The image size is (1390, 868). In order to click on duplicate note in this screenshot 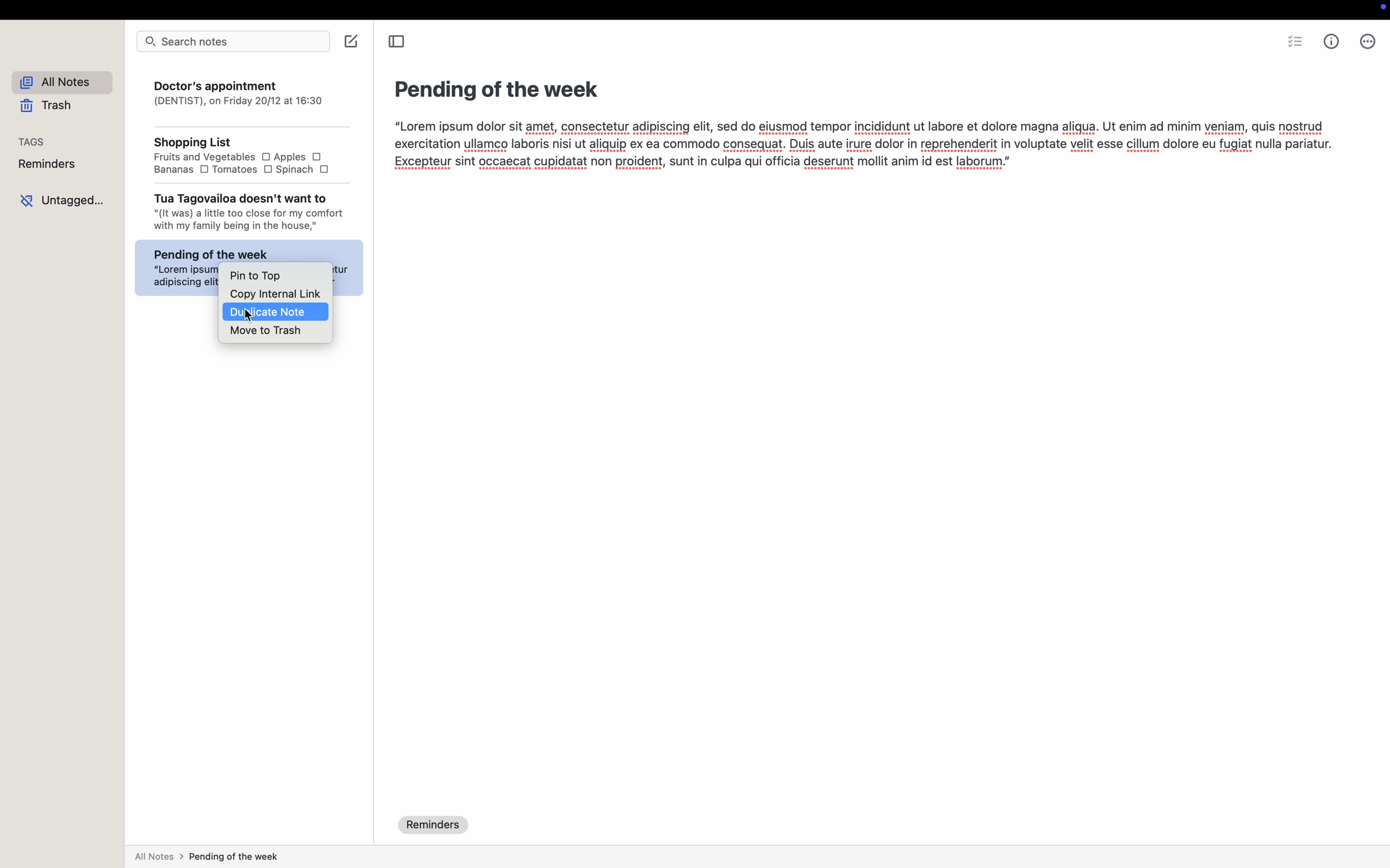, I will do `click(275, 311)`.